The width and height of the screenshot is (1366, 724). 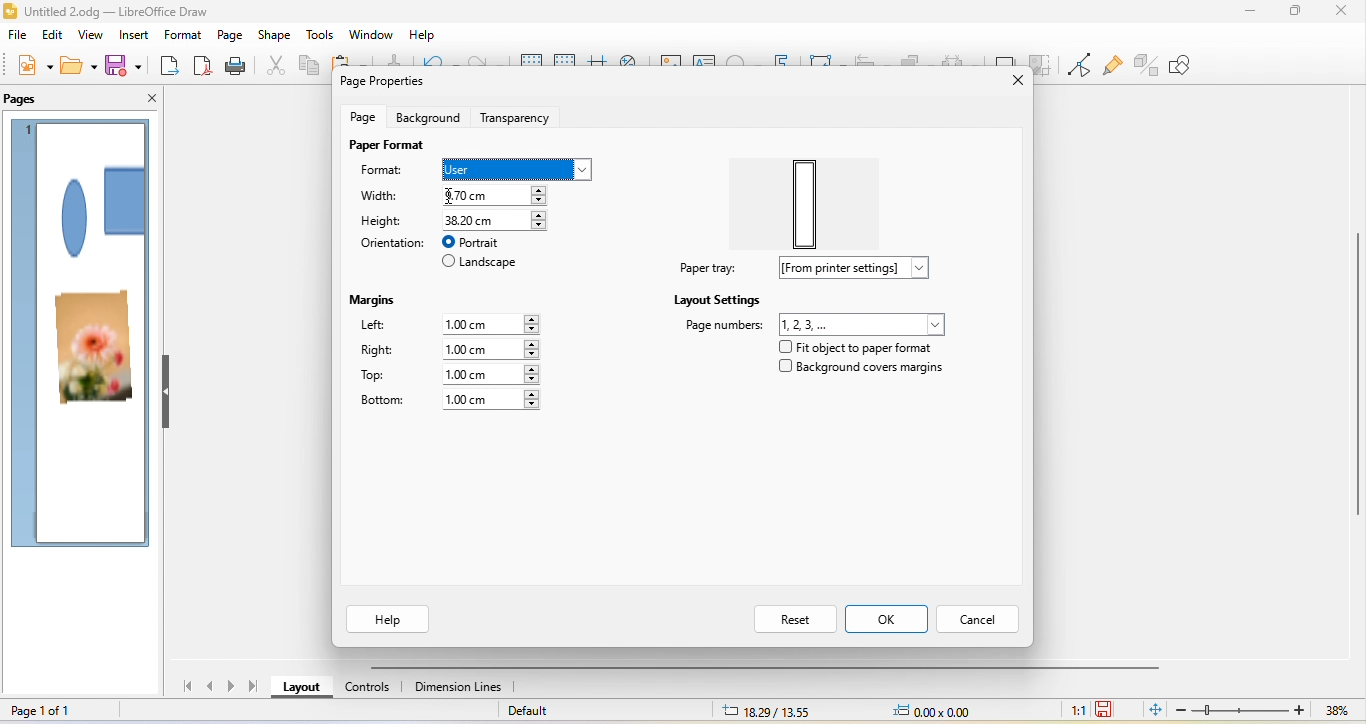 What do you see at coordinates (582, 711) in the screenshot?
I see `default` at bounding box center [582, 711].